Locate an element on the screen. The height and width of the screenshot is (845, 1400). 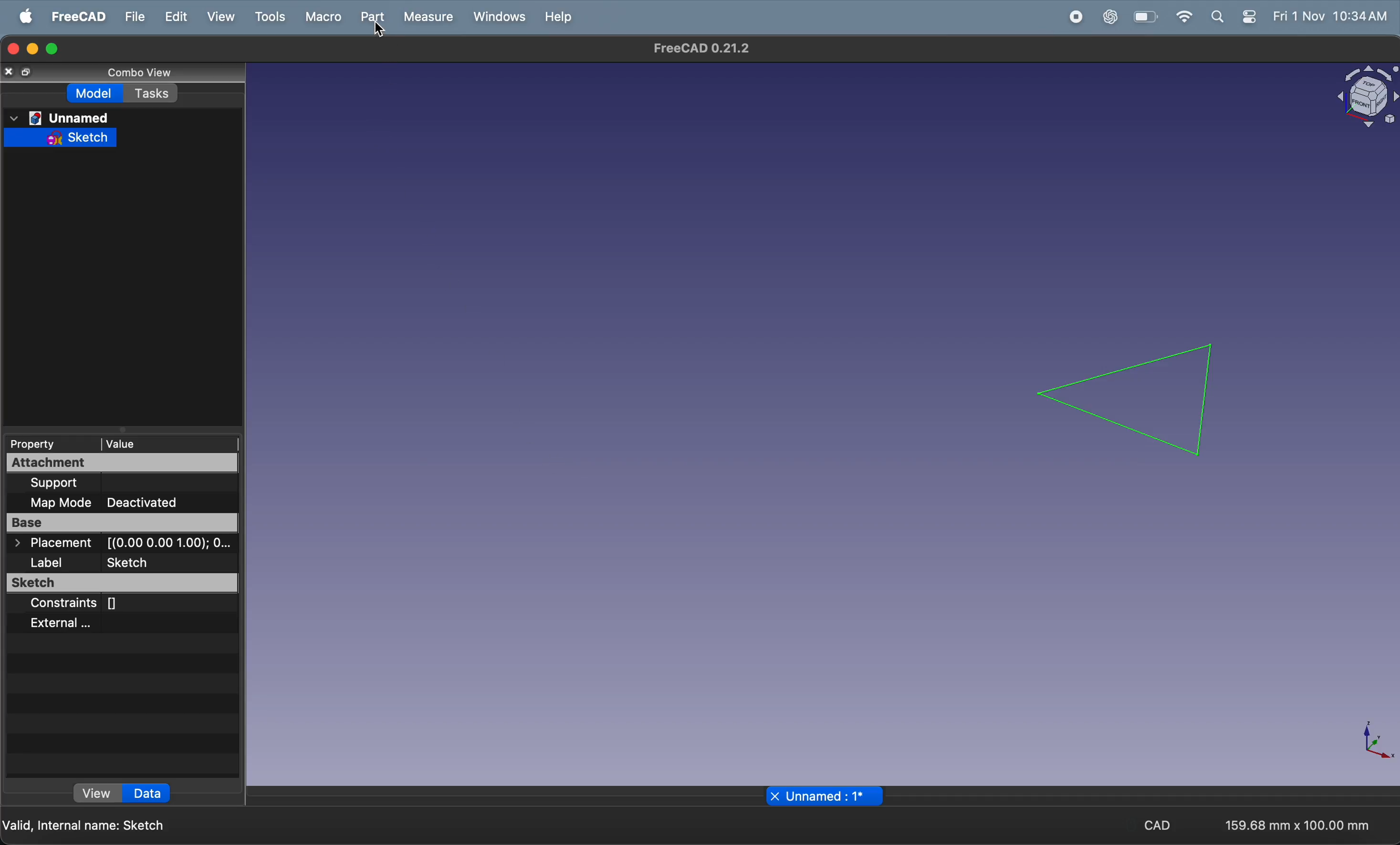
Fri 1 Nov 10:34 AM is located at coordinates (1330, 17).